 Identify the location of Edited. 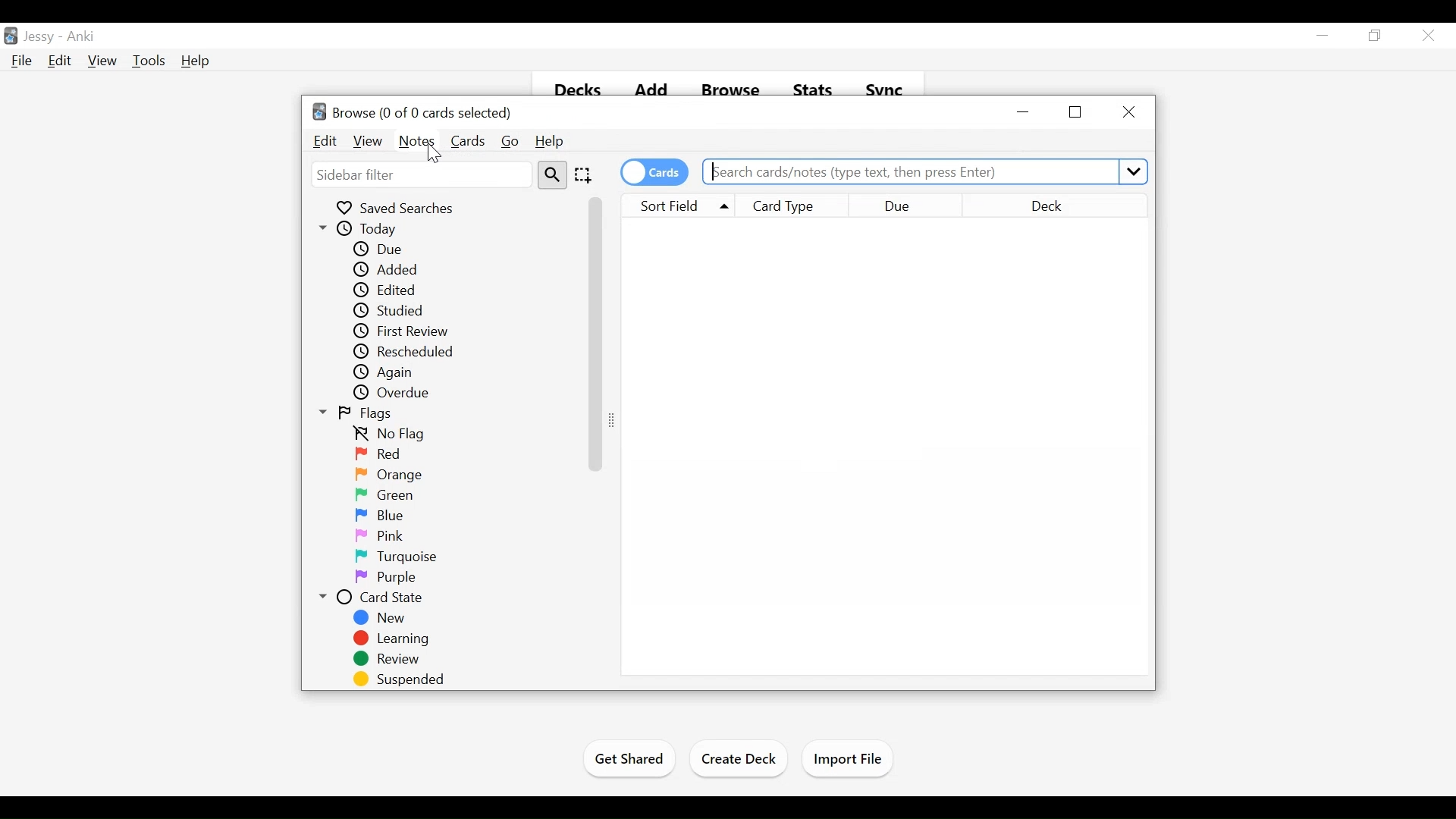
(384, 291).